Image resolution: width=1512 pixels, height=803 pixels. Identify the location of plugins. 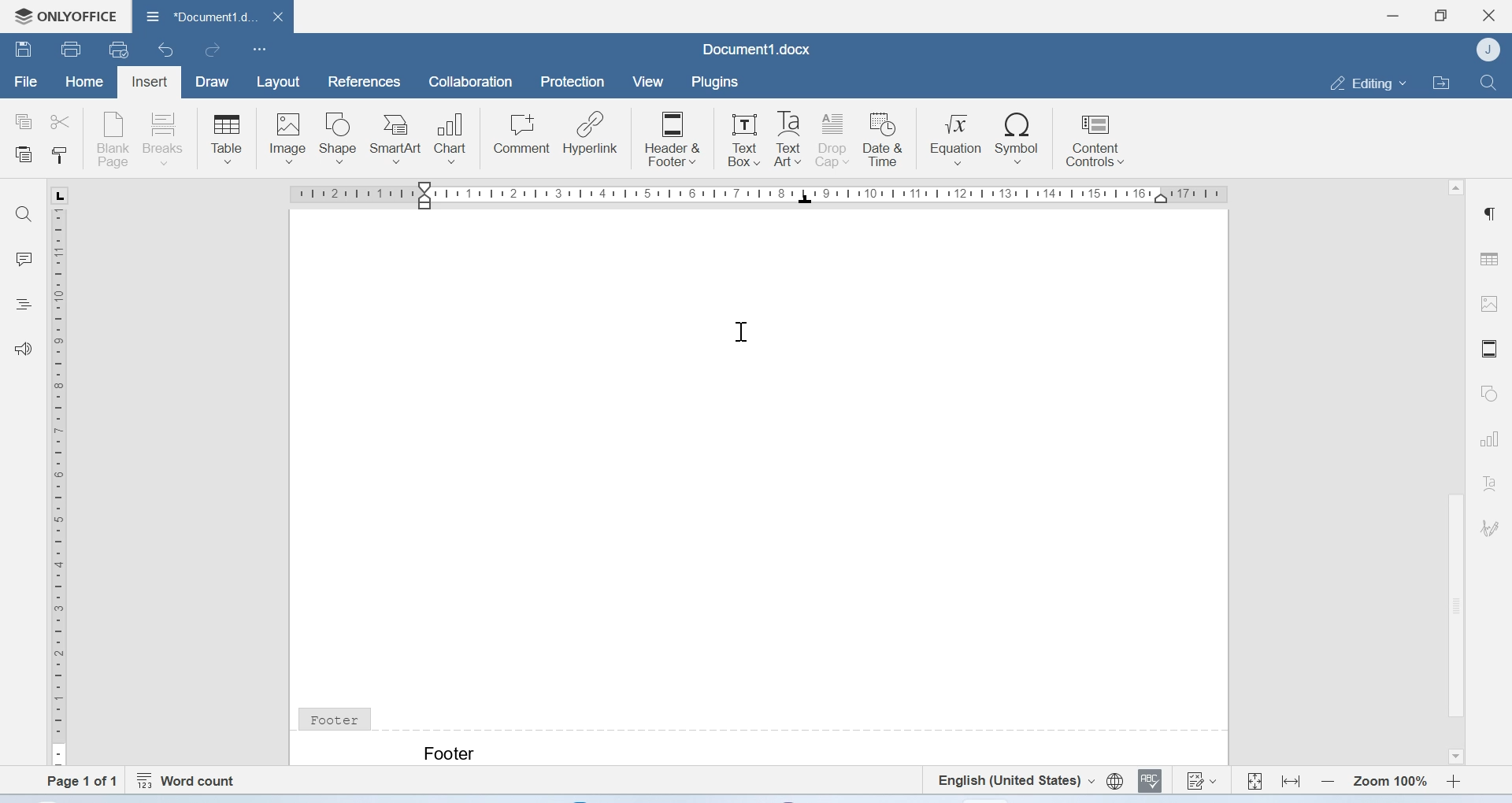
(721, 82).